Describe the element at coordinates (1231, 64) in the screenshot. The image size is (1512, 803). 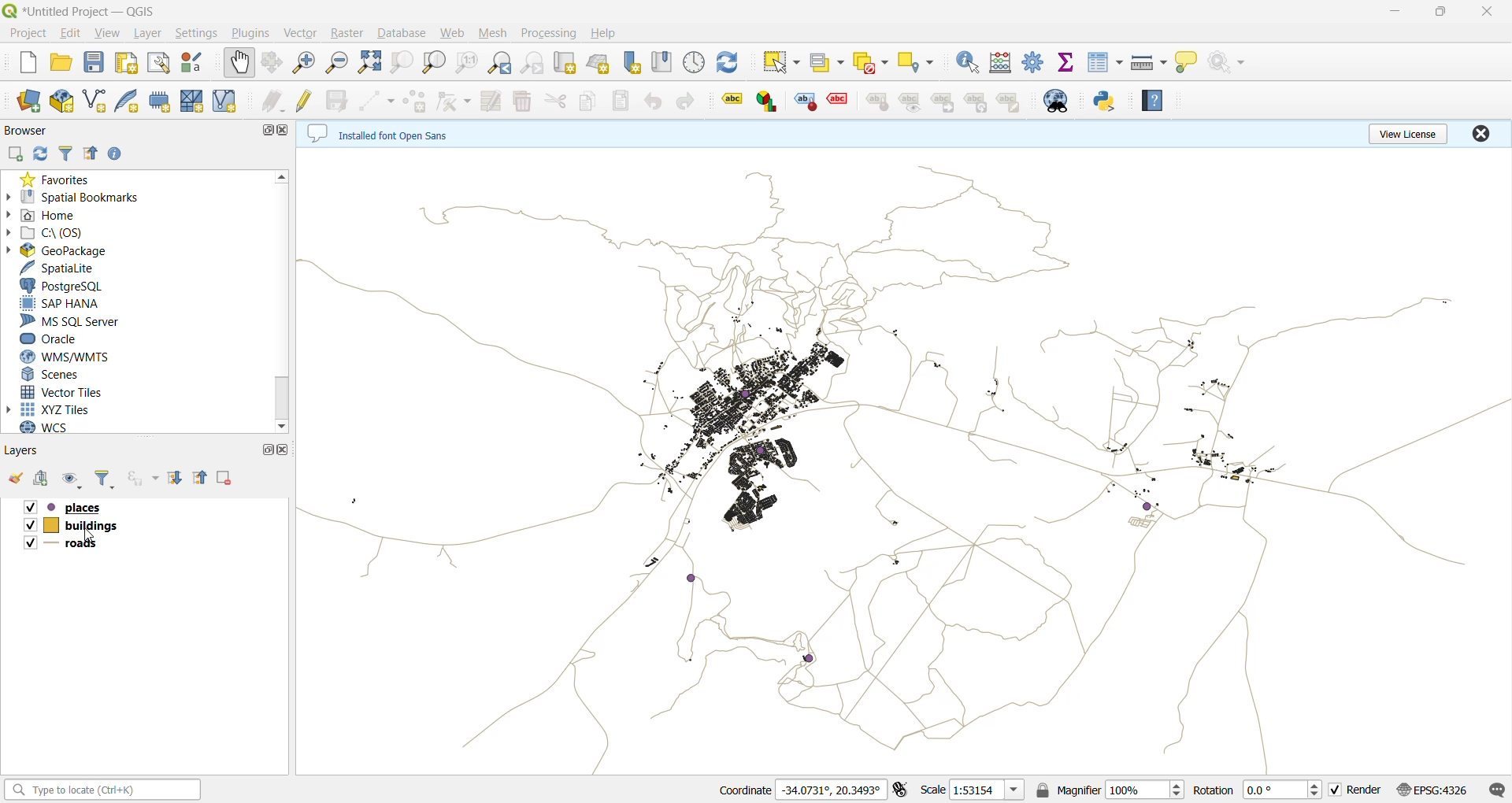
I see `no action` at that location.